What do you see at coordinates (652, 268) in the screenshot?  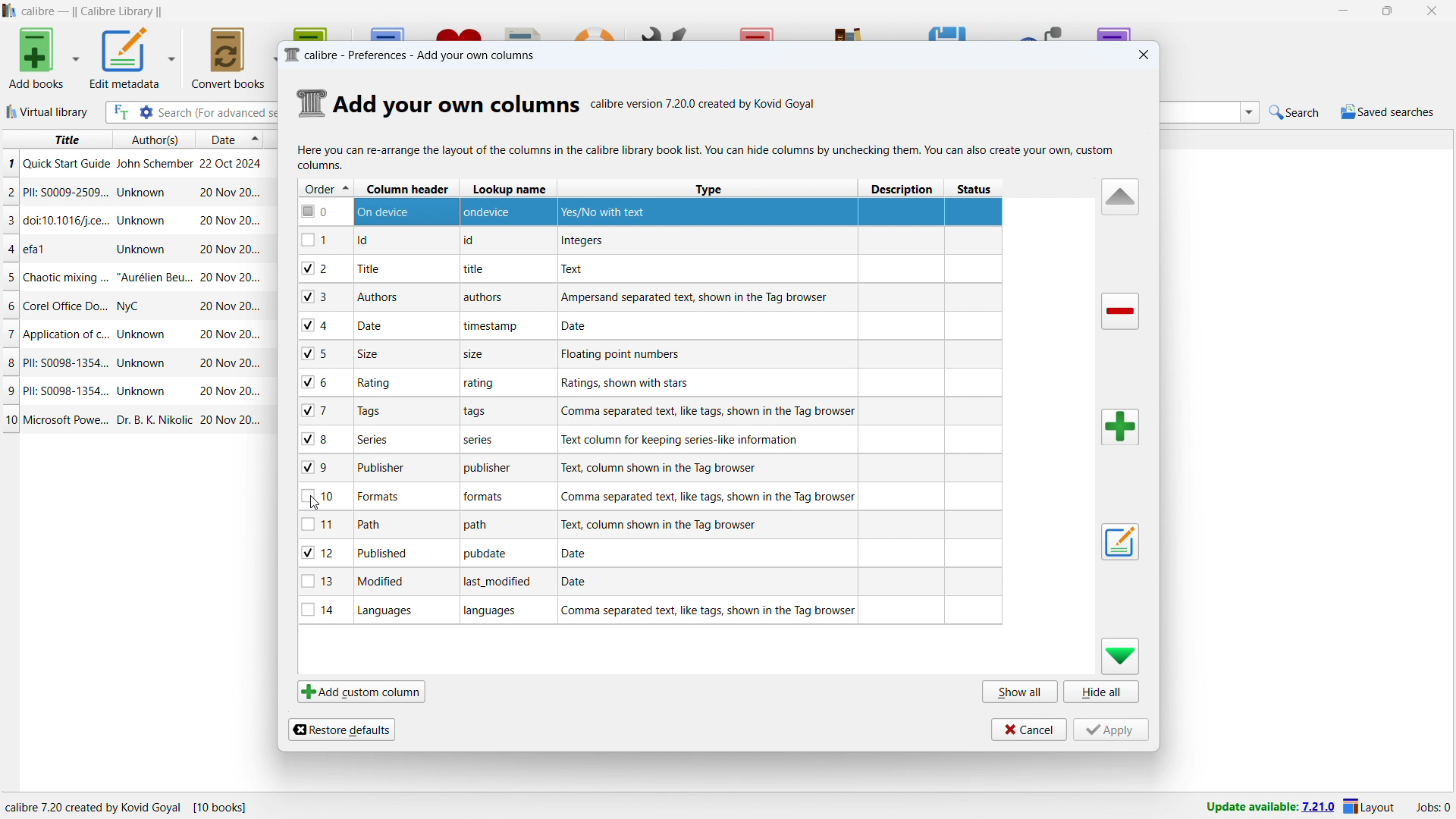 I see `v2 Title title Text` at bounding box center [652, 268].